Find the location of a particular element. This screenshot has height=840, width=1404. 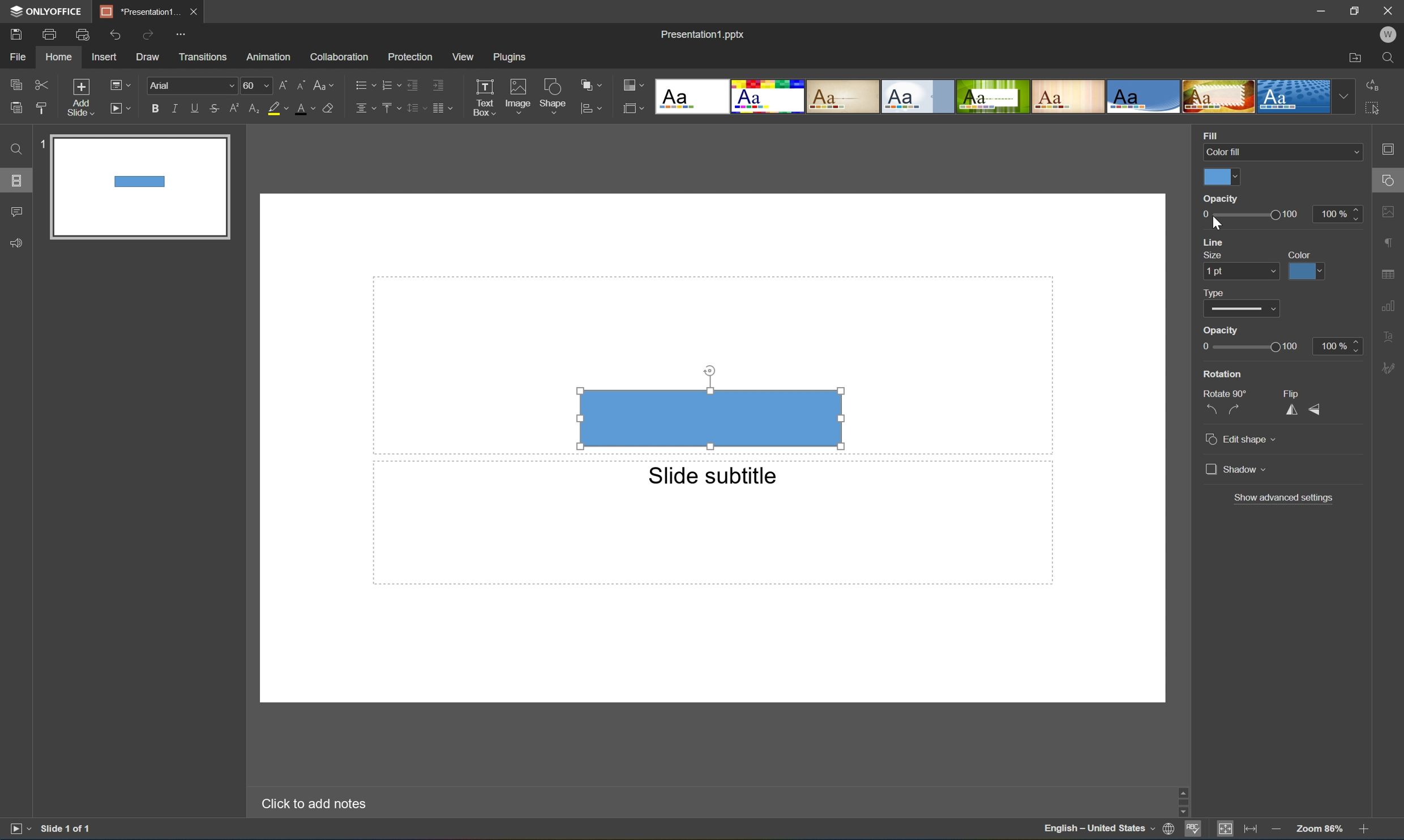

Horizontally align is located at coordinates (363, 108).